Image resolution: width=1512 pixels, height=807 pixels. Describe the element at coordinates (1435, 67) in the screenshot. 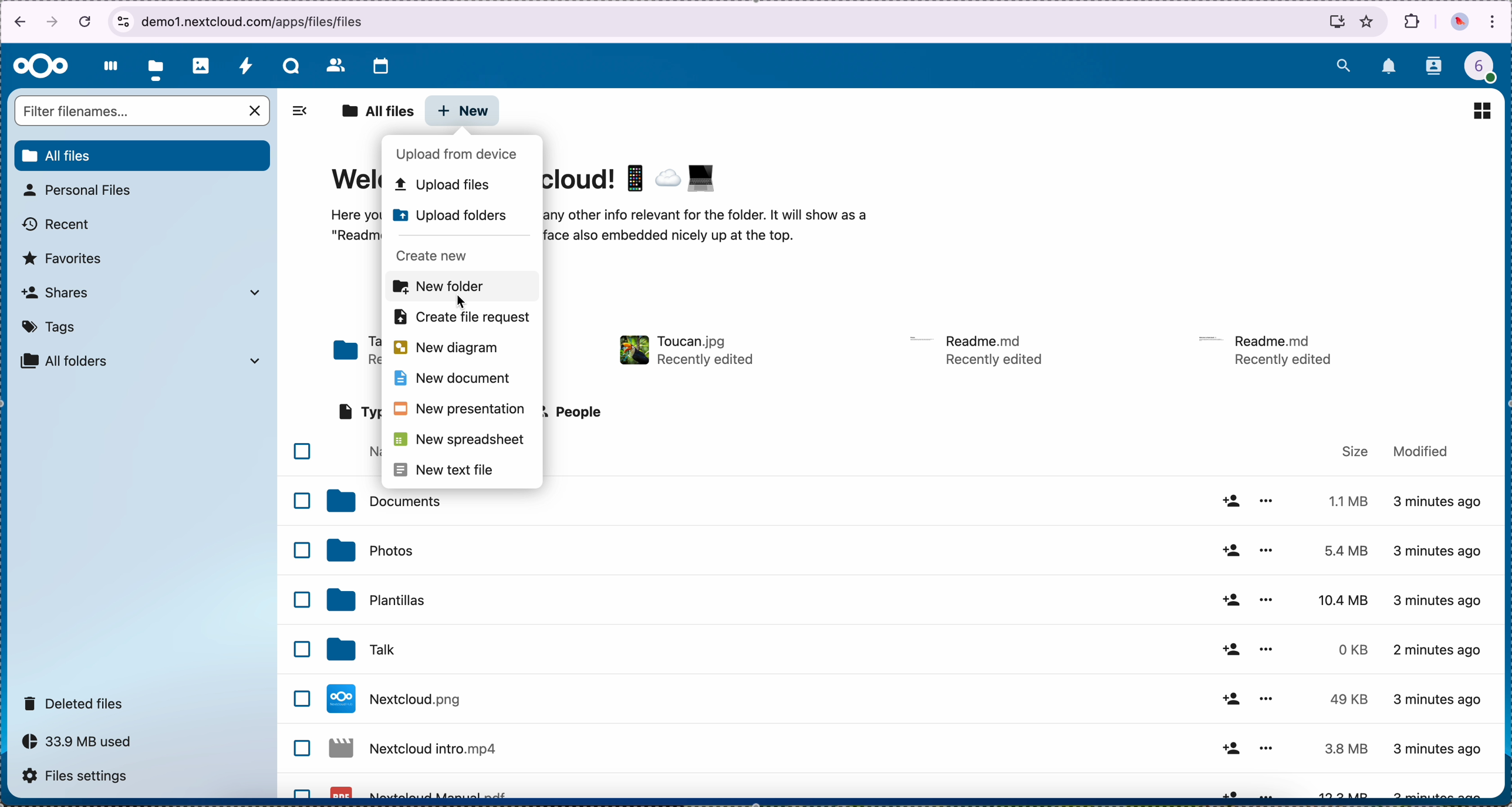

I see `contacts` at that location.